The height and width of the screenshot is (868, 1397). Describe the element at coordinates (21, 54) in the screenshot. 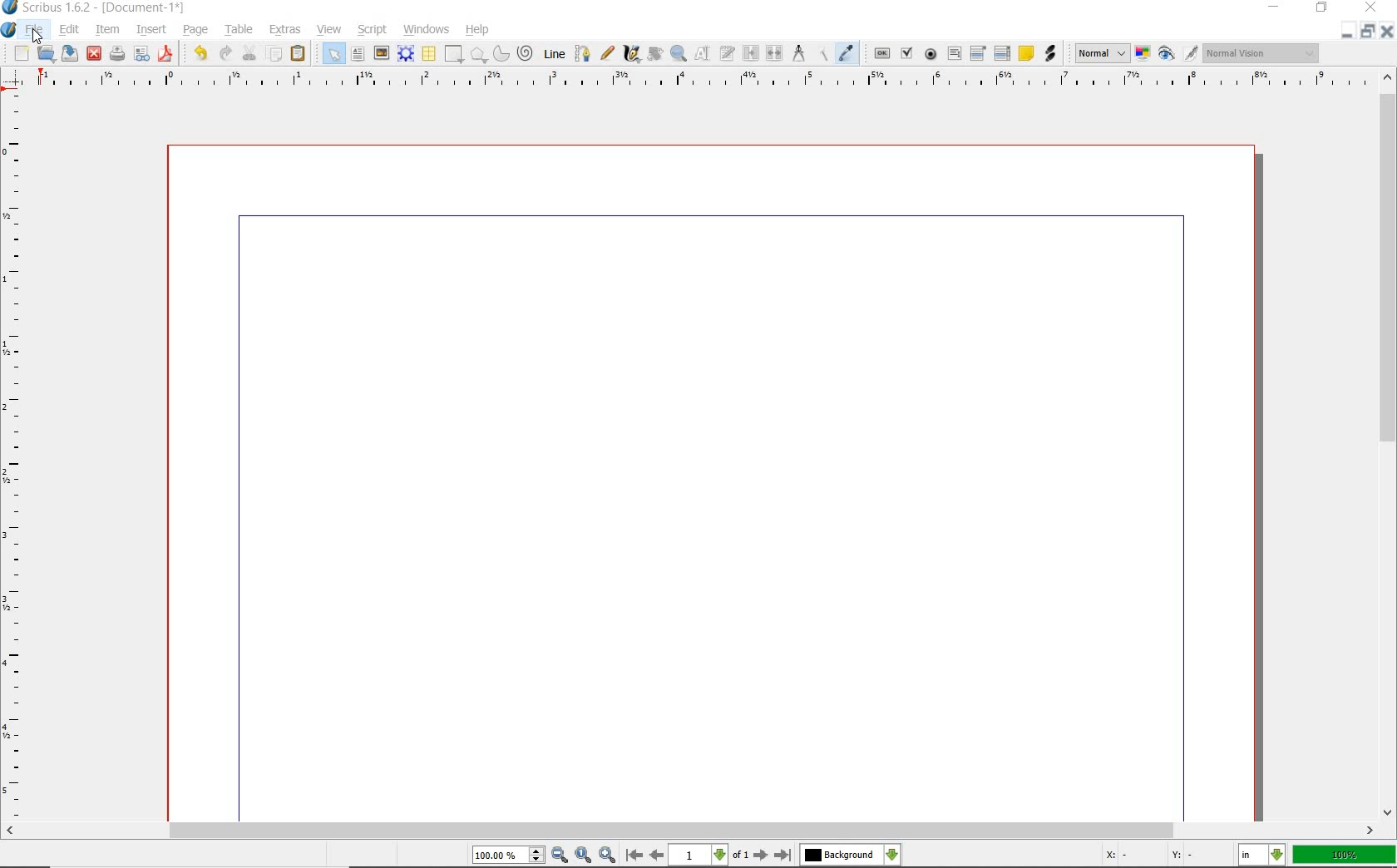

I see `new` at that location.